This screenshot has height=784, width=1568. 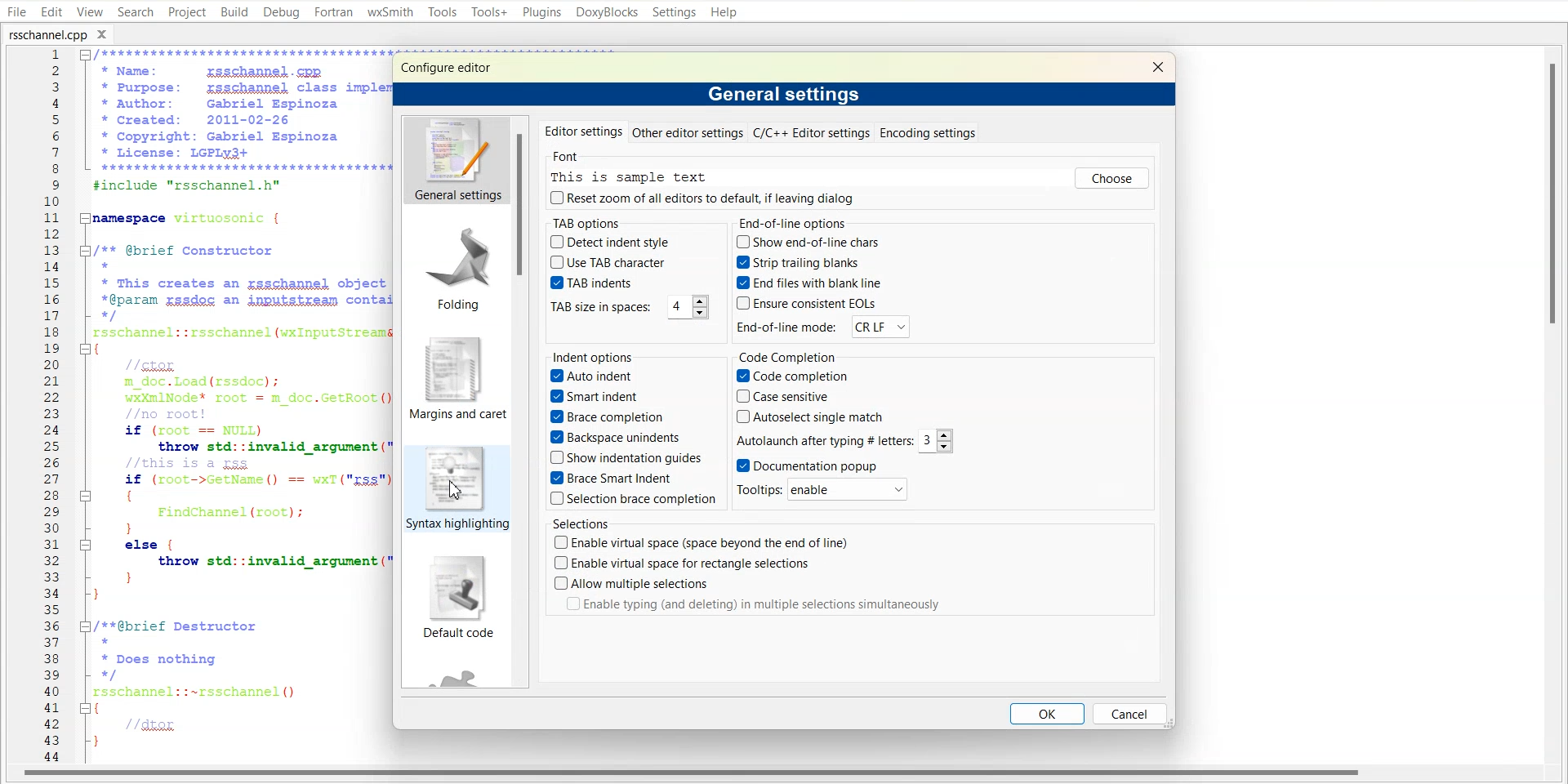 What do you see at coordinates (522, 402) in the screenshot?
I see `Vertical scroll bar` at bounding box center [522, 402].